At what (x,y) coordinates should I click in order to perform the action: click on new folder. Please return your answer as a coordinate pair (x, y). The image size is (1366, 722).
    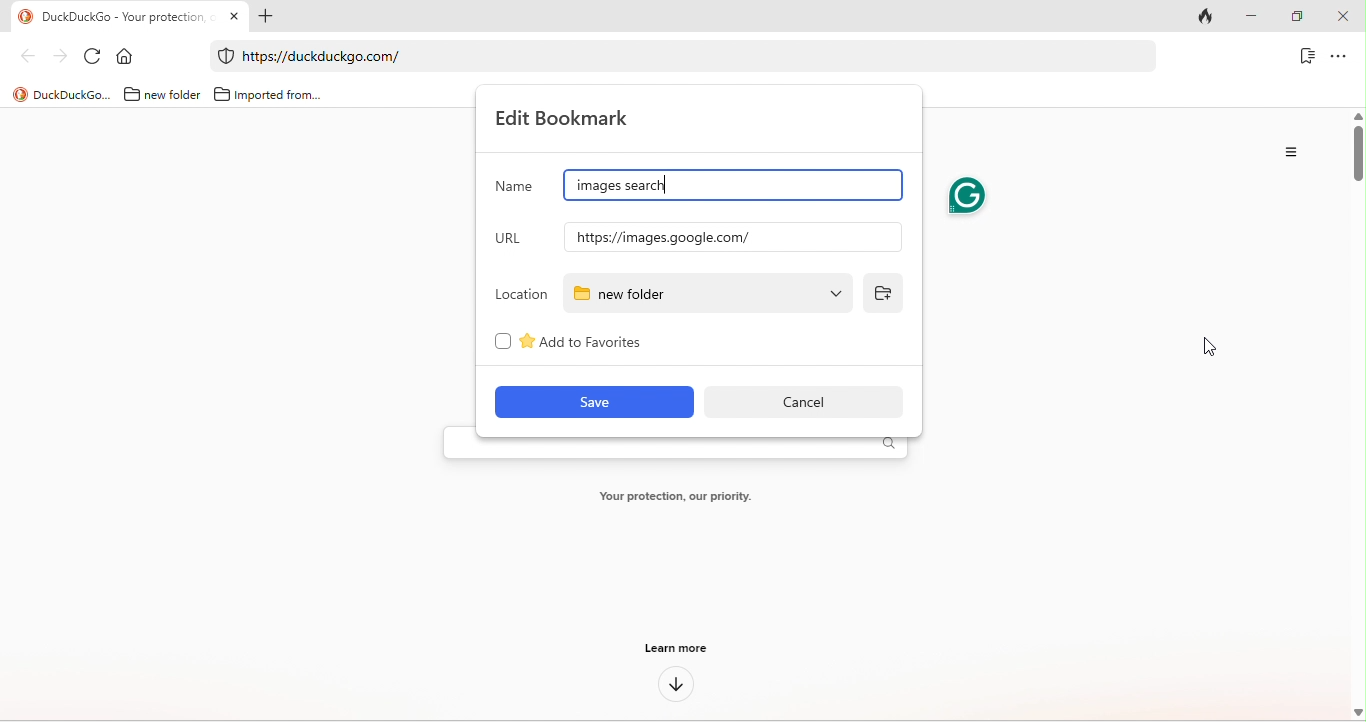
    Looking at the image, I should click on (159, 94).